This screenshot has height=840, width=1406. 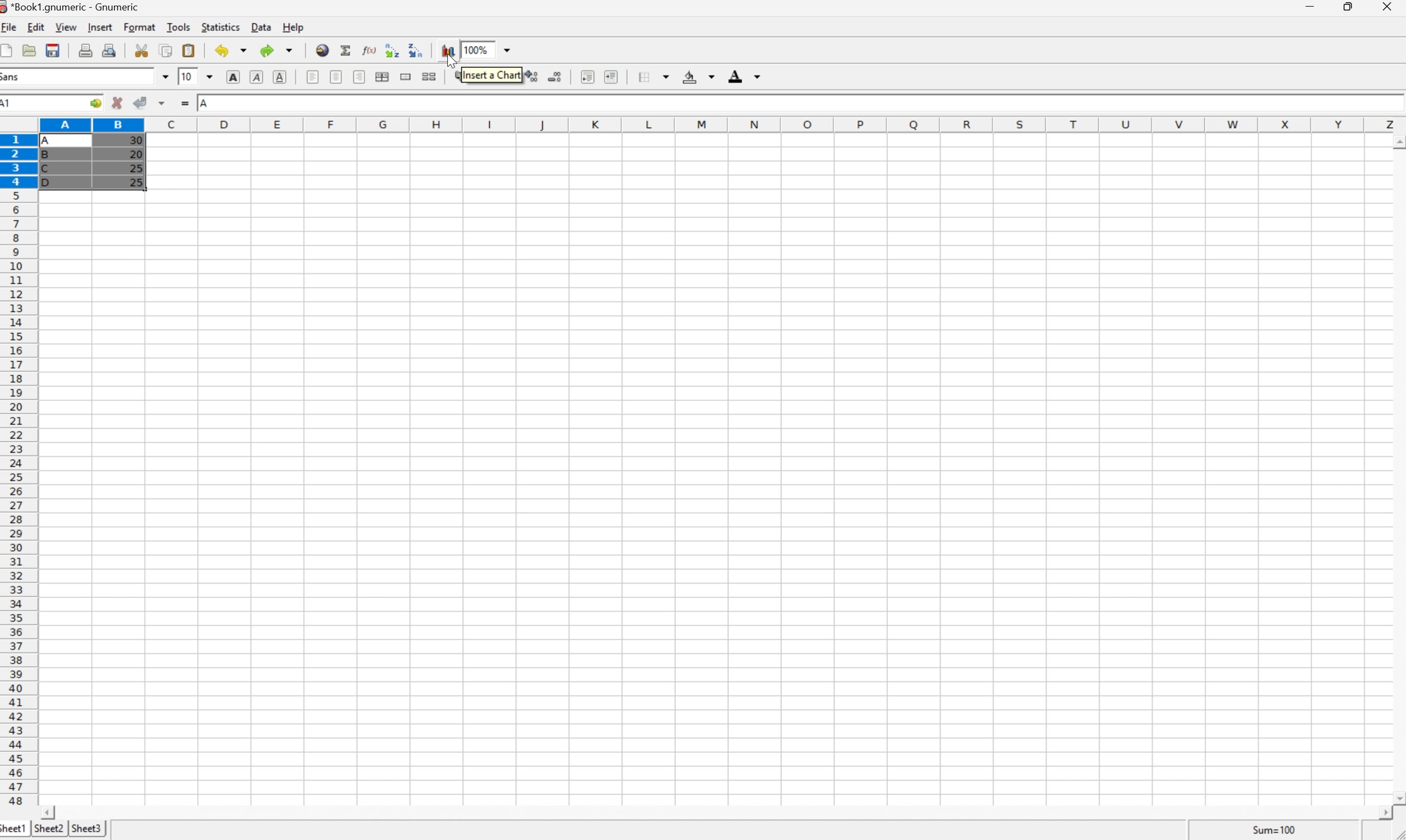 I want to click on Scroll Down, so click(x=1397, y=797).